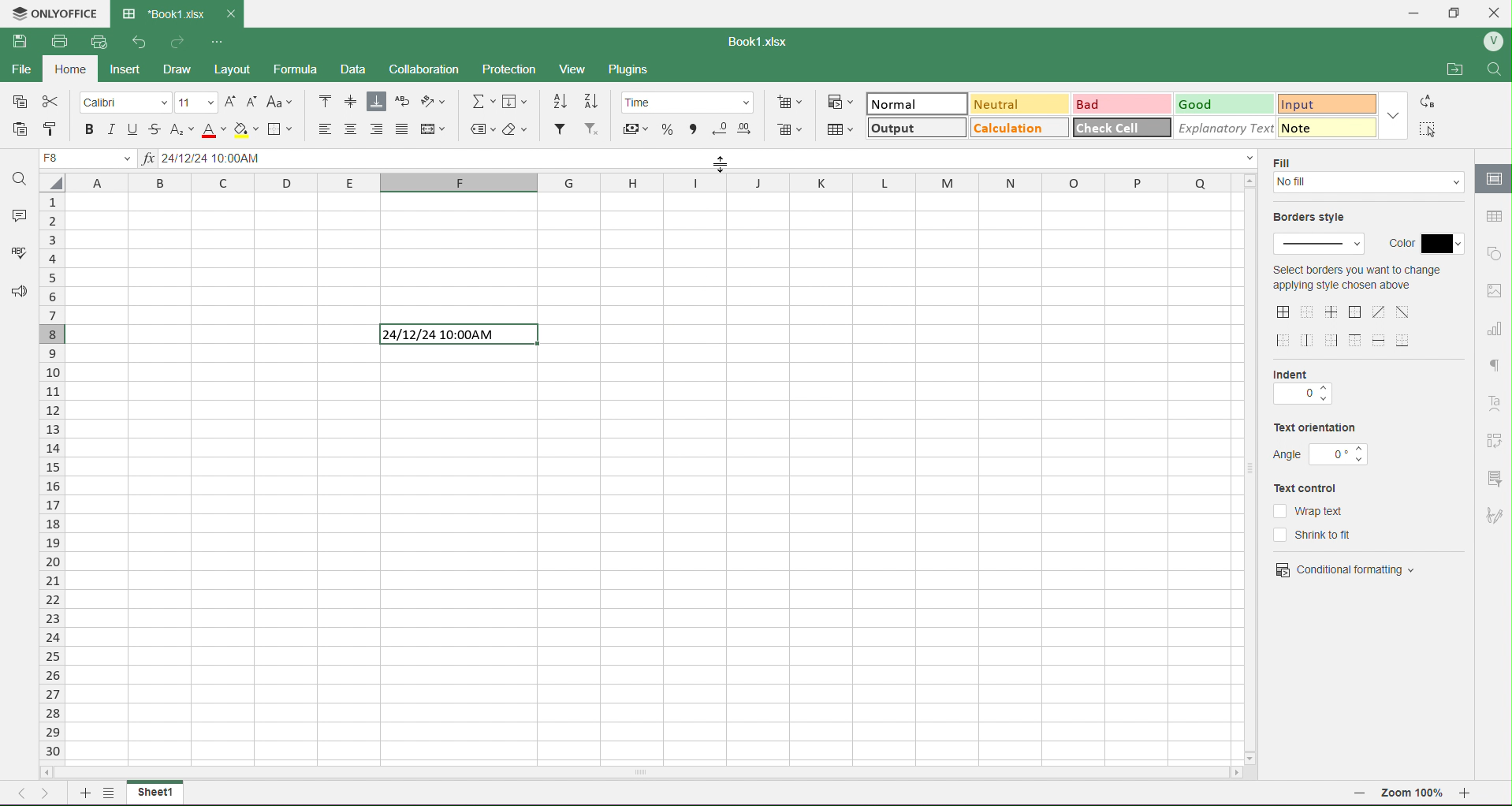 This screenshot has height=806, width=1512. Describe the element at coordinates (1473, 797) in the screenshot. I see `zoom in` at that location.